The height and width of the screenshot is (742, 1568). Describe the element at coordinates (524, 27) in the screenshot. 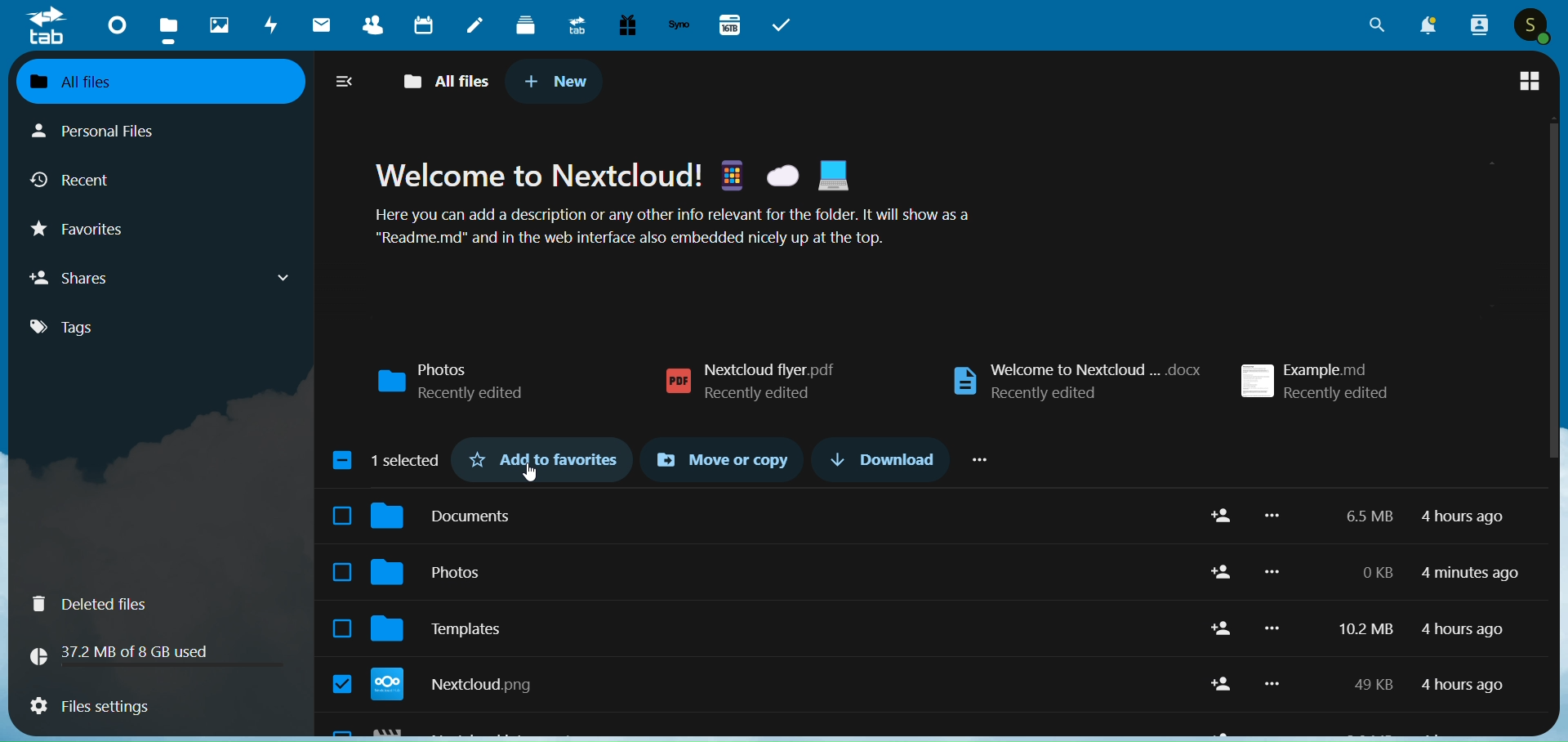

I see `deck` at that location.